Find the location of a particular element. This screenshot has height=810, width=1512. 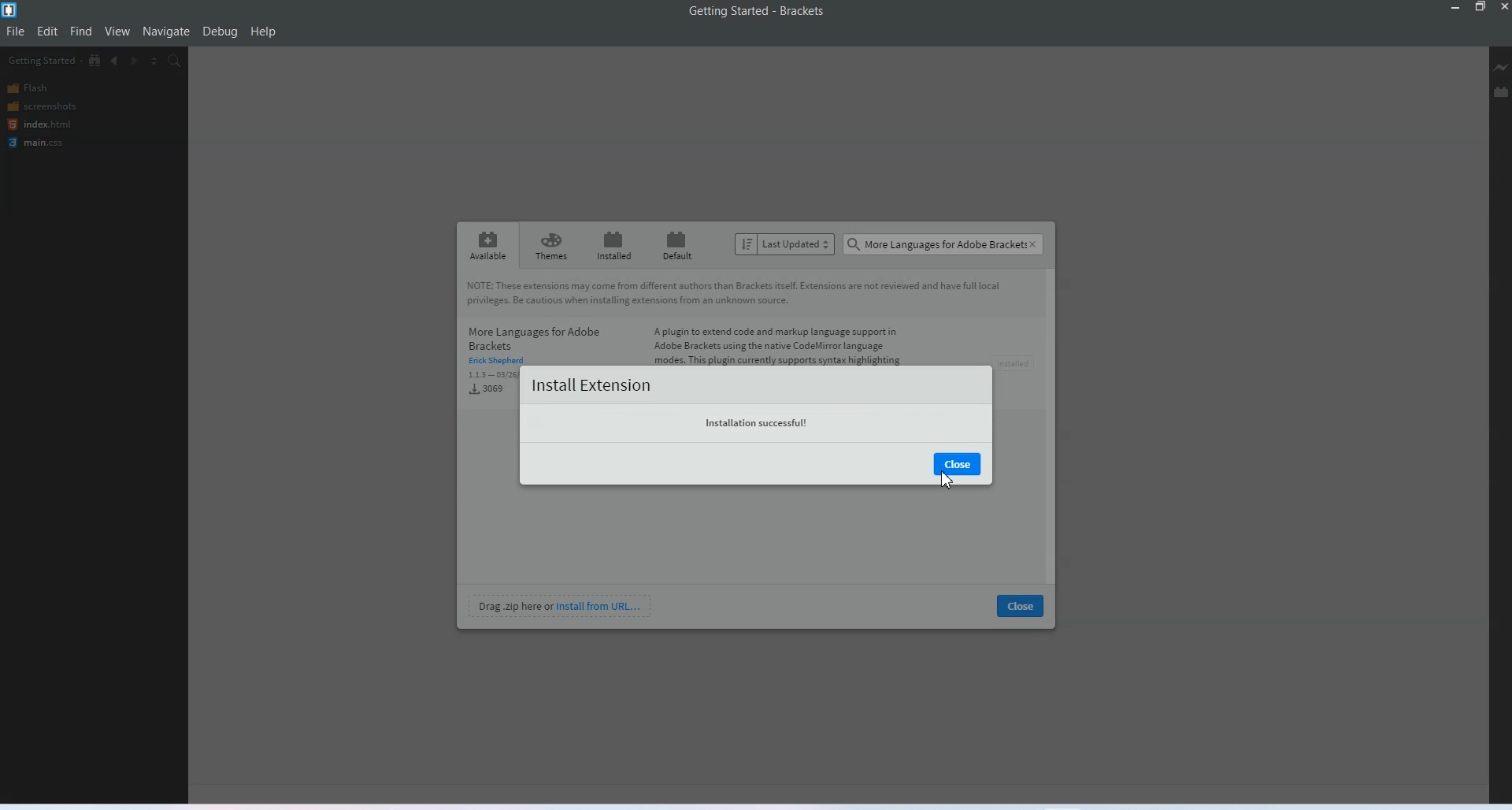

install from U R L is located at coordinates (599, 605).